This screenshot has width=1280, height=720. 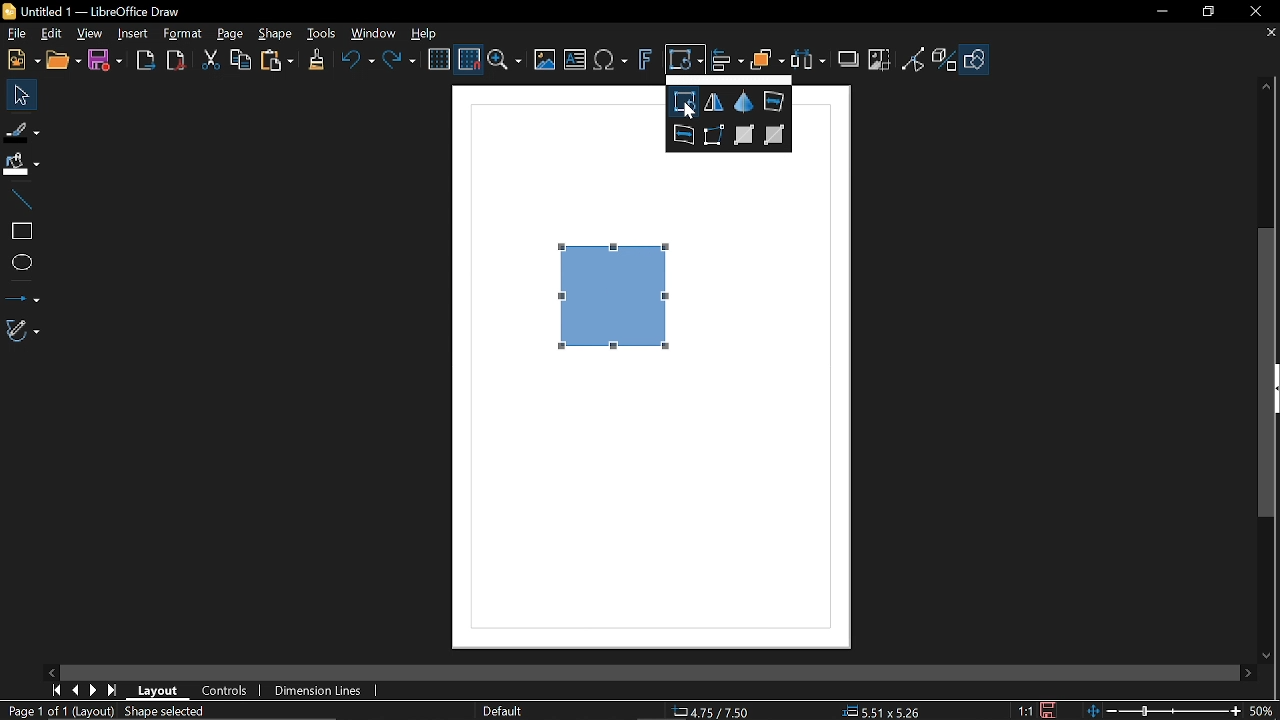 What do you see at coordinates (744, 136) in the screenshot?
I see `Interactive transparency tool` at bounding box center [744, 136].